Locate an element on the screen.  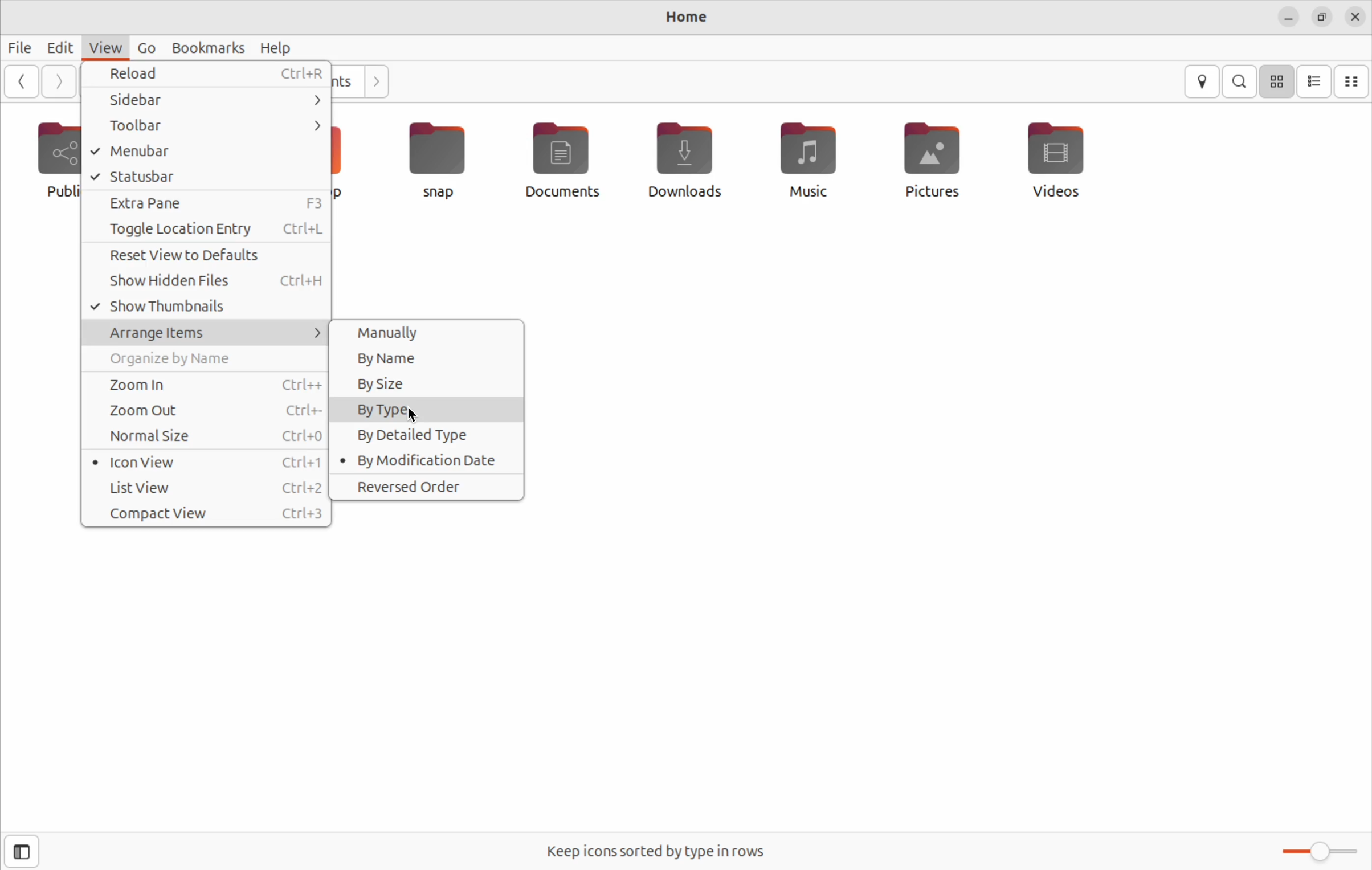
icon view is located at coordinates (205, 461).